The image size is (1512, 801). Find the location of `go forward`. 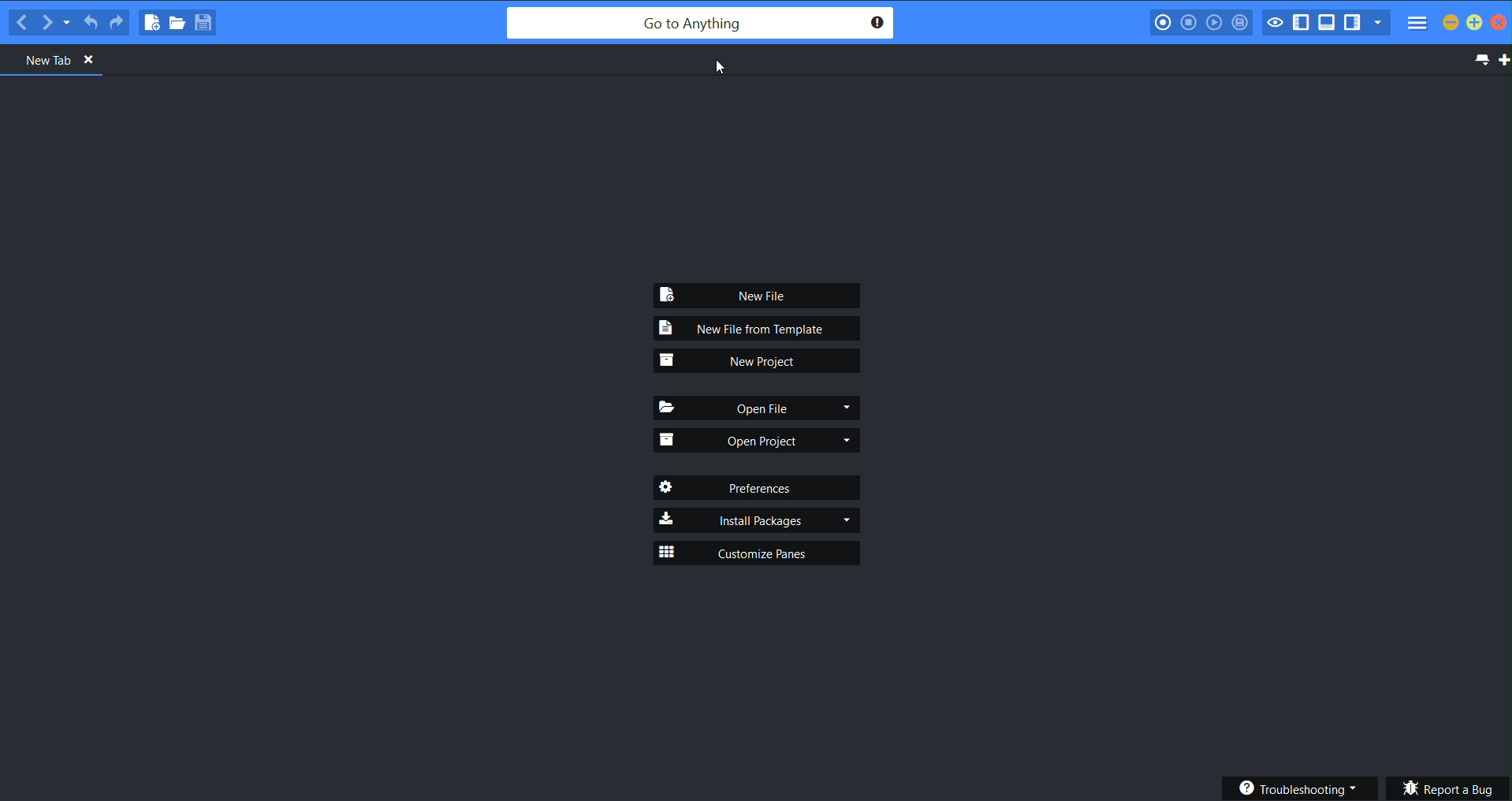

go forward is located at coordinates (48, 22).